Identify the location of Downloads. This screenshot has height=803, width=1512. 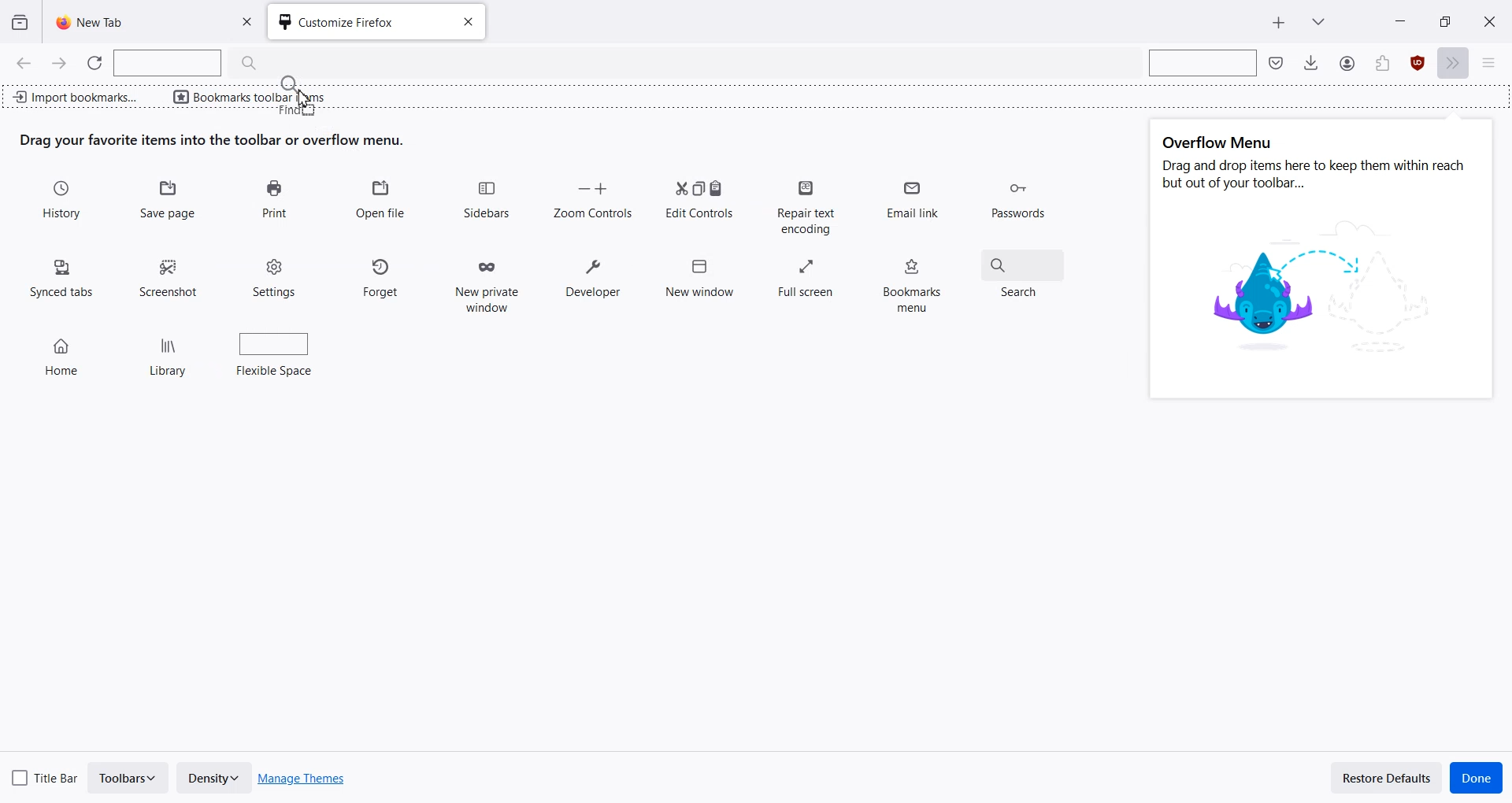
(1311, 62).